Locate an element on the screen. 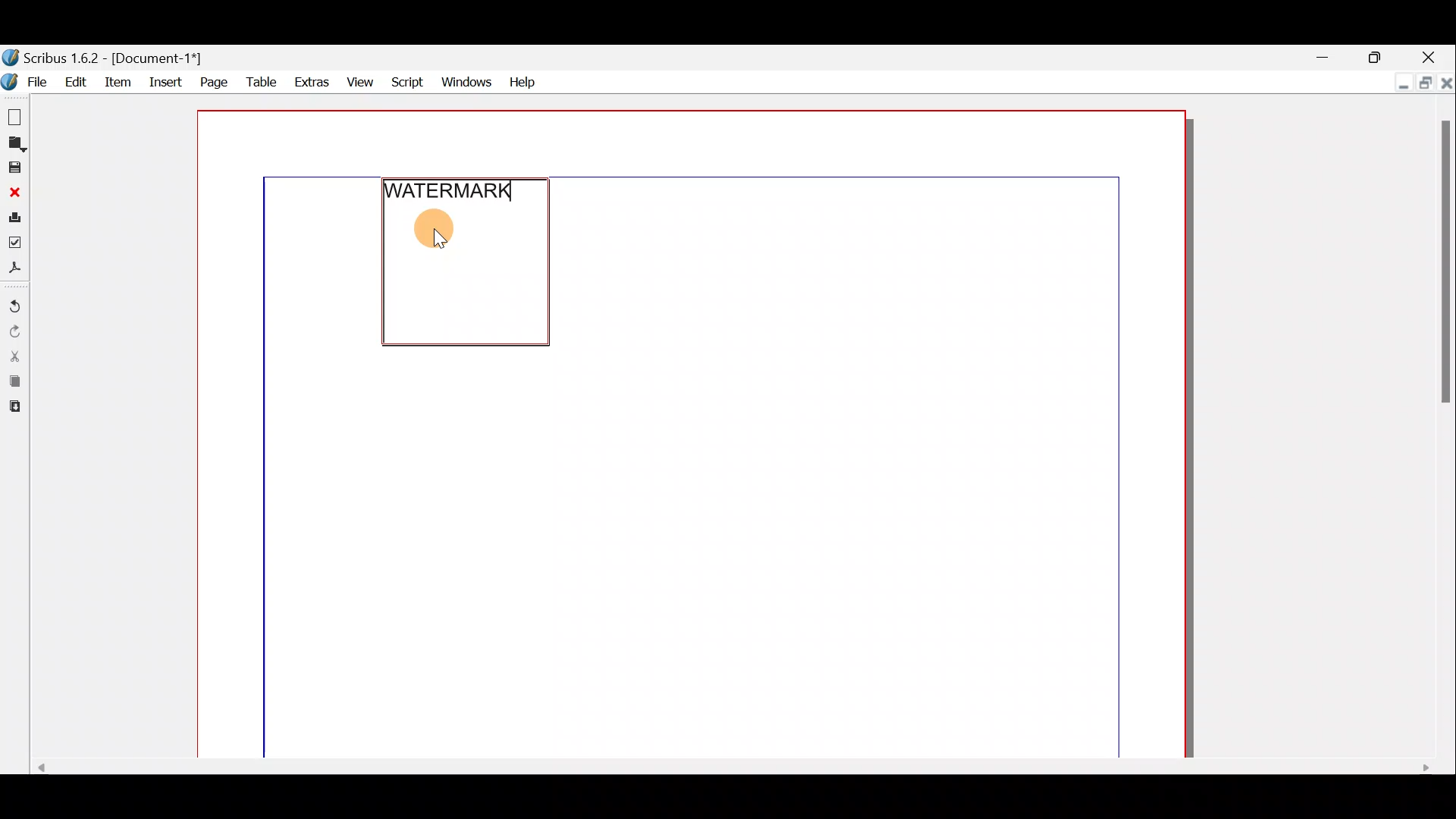  View is located at coordinates (360, 81).